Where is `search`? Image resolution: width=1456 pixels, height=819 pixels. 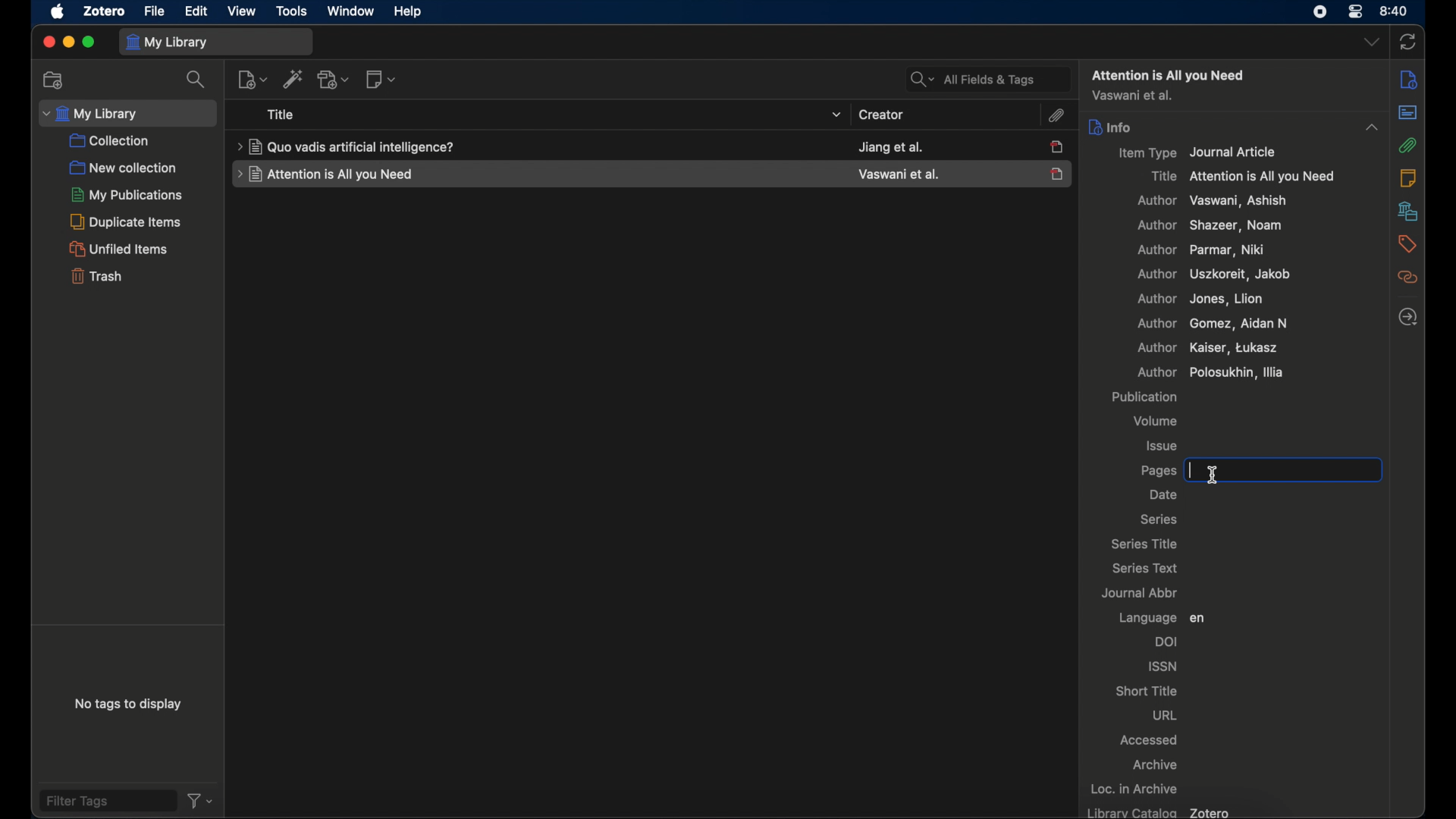
search is located at coordinates (195, 80).